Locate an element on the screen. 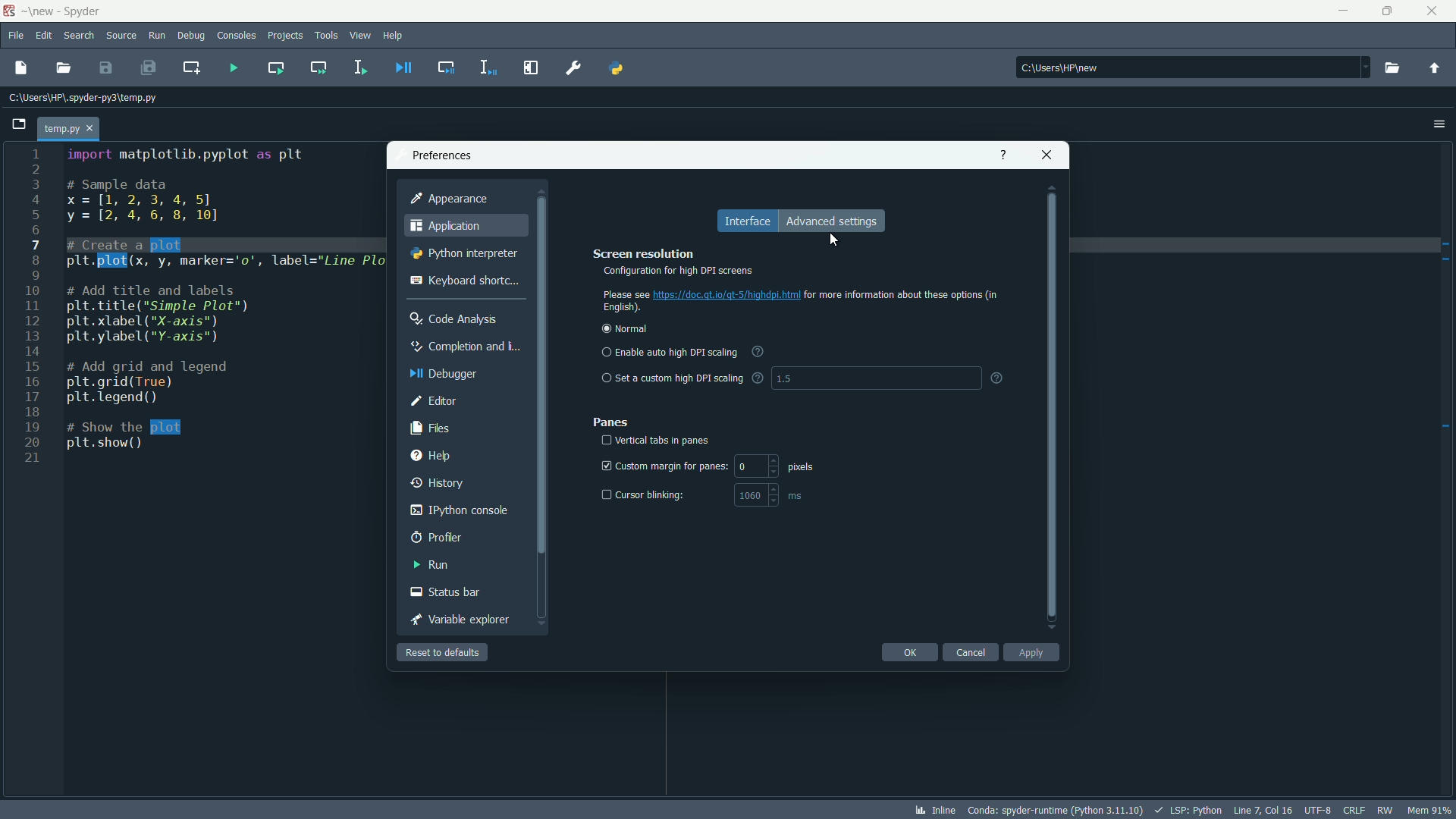 This screenshot has height=819, width=1456. python path manager is located at coordinates (617, 68).